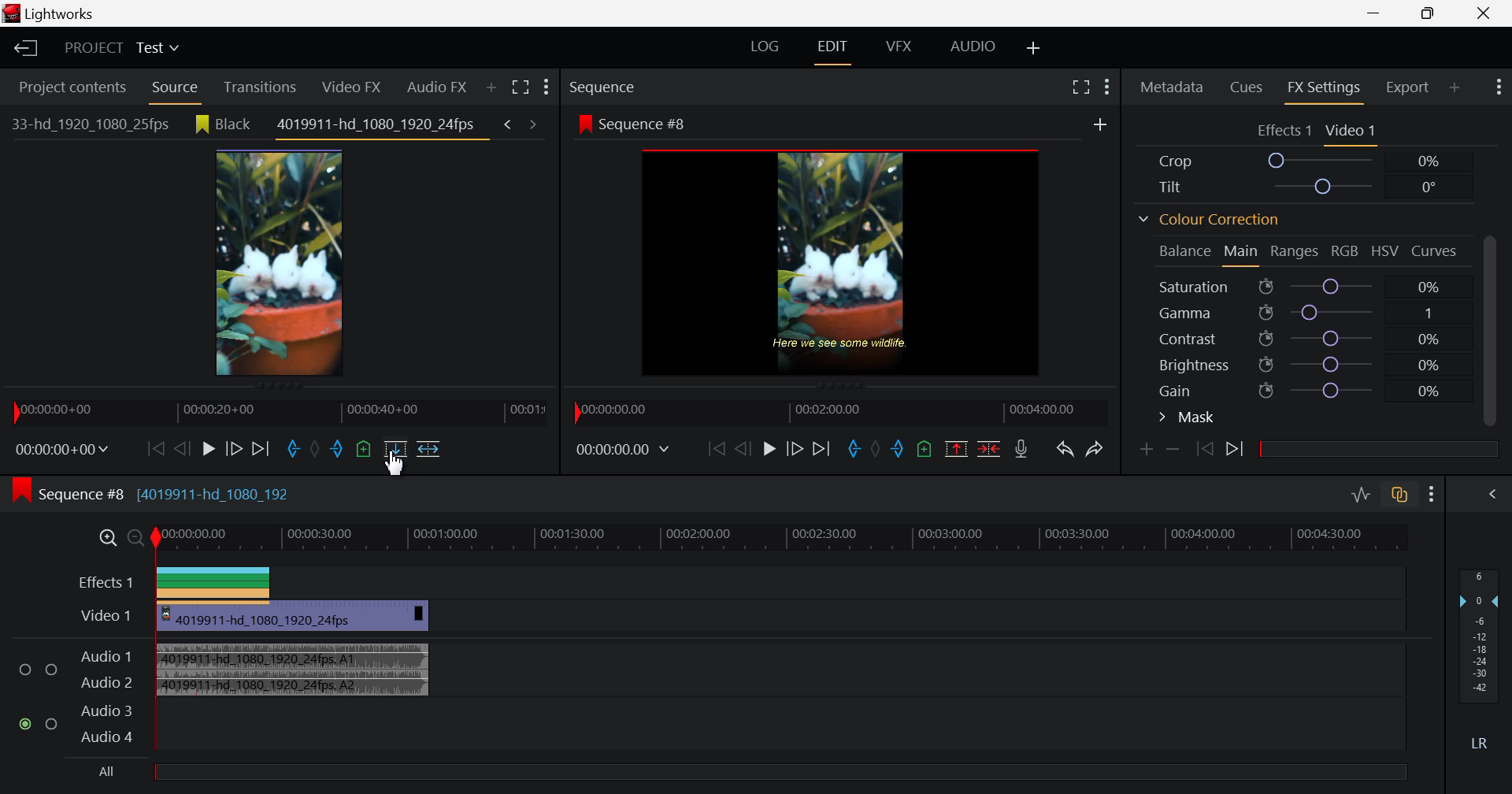 The height and width of the screenshot is (794, 1512). Describe the element at coordinates (795, 447) in the screenshot. I see `Go Forward` at that location.